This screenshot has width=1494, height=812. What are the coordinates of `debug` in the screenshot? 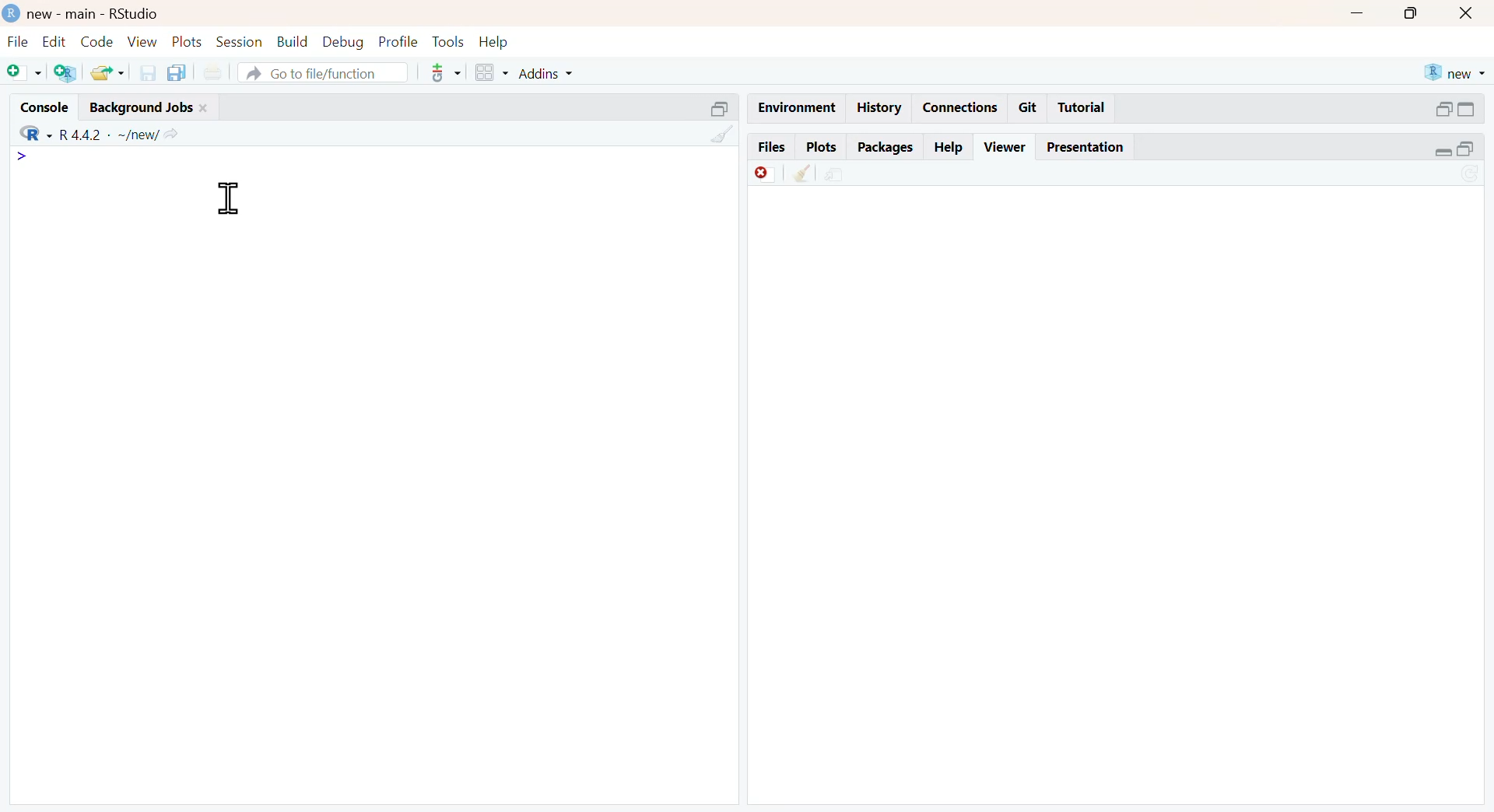 It's located at (344, 43).